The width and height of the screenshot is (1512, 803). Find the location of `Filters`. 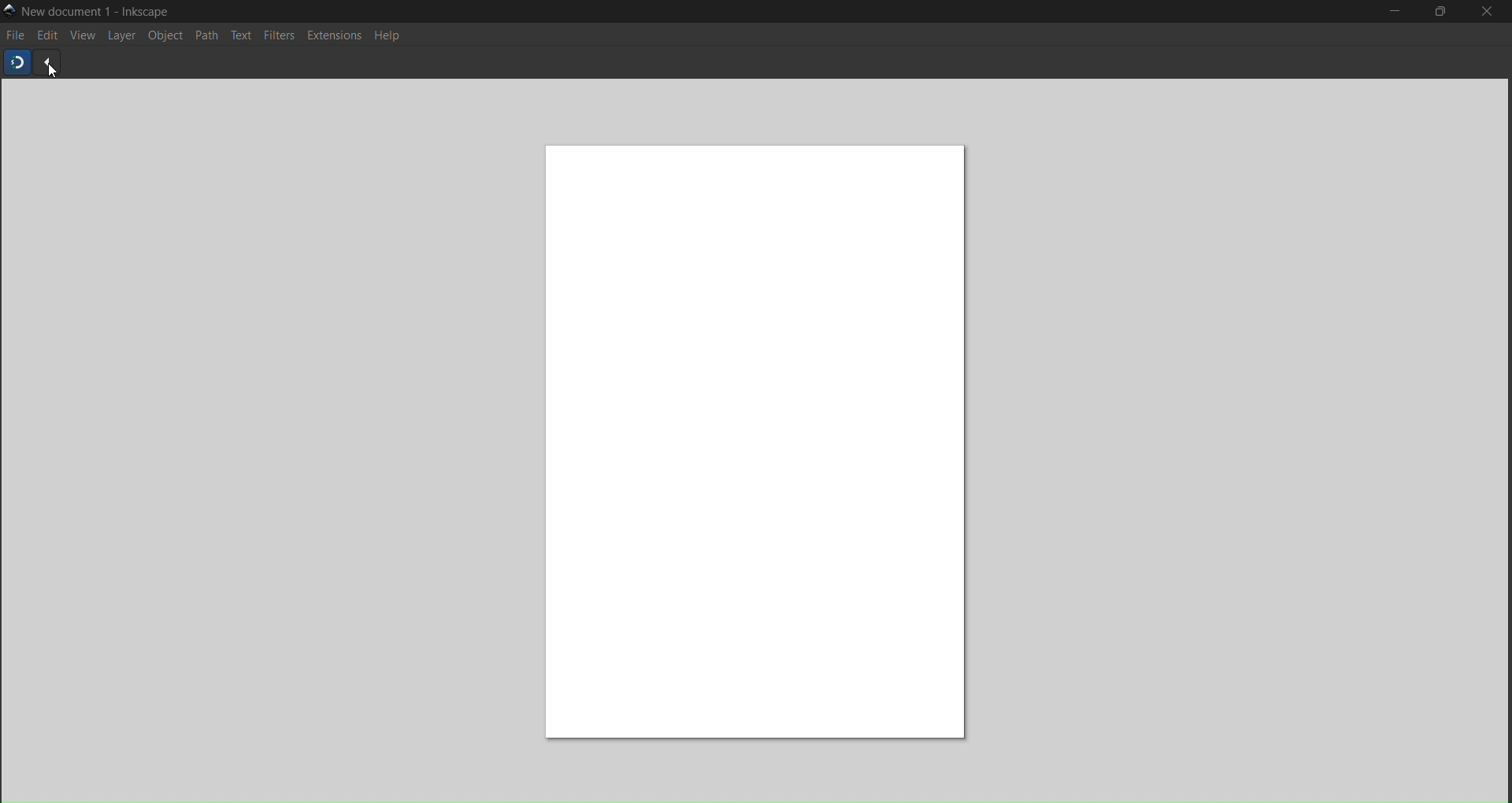

Filters is located at coordinates (278, 35).